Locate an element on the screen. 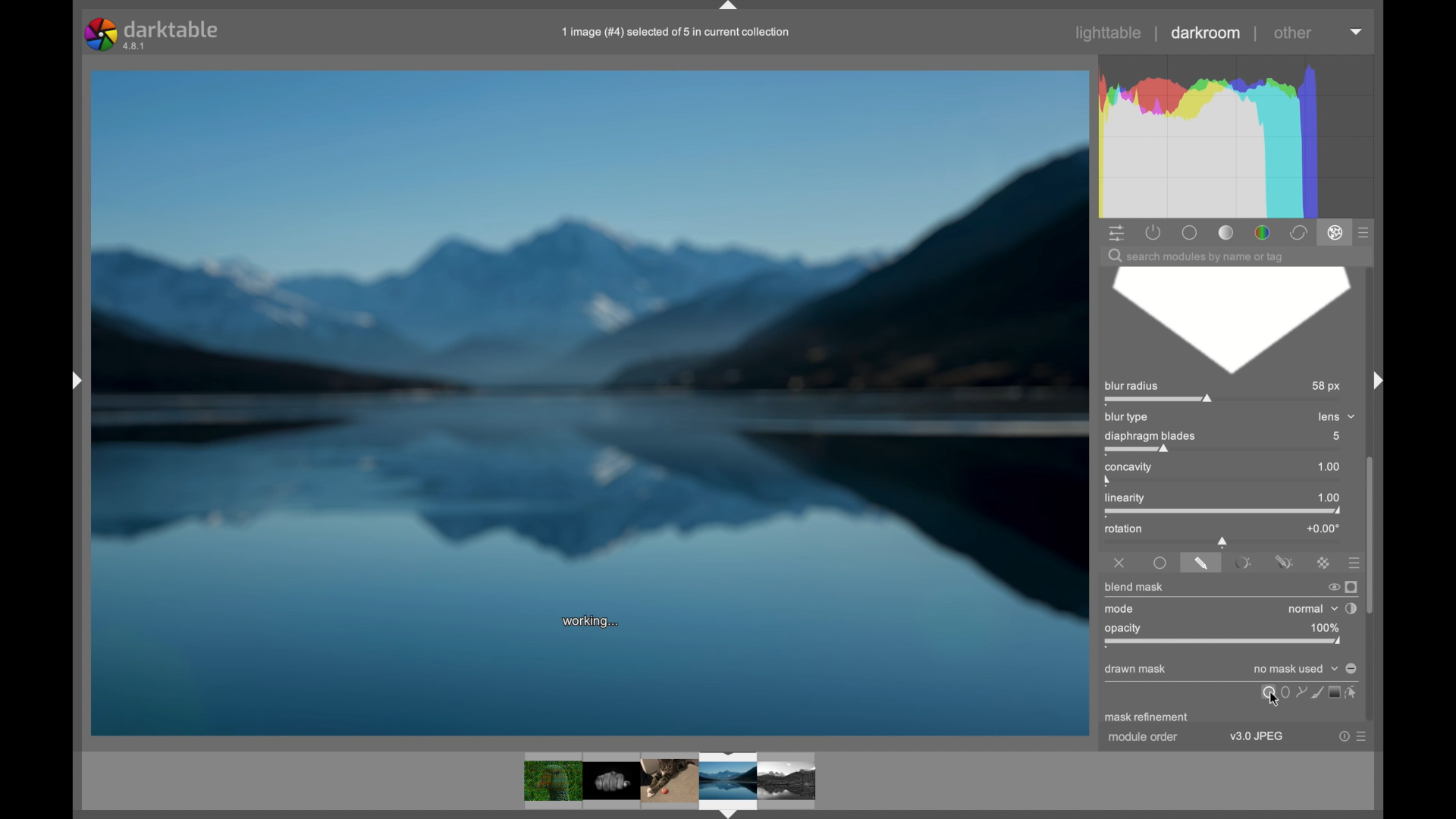 Image resolution: width=1456 pixels, height=819 pixels. base is located at coordinates (1191, 232).